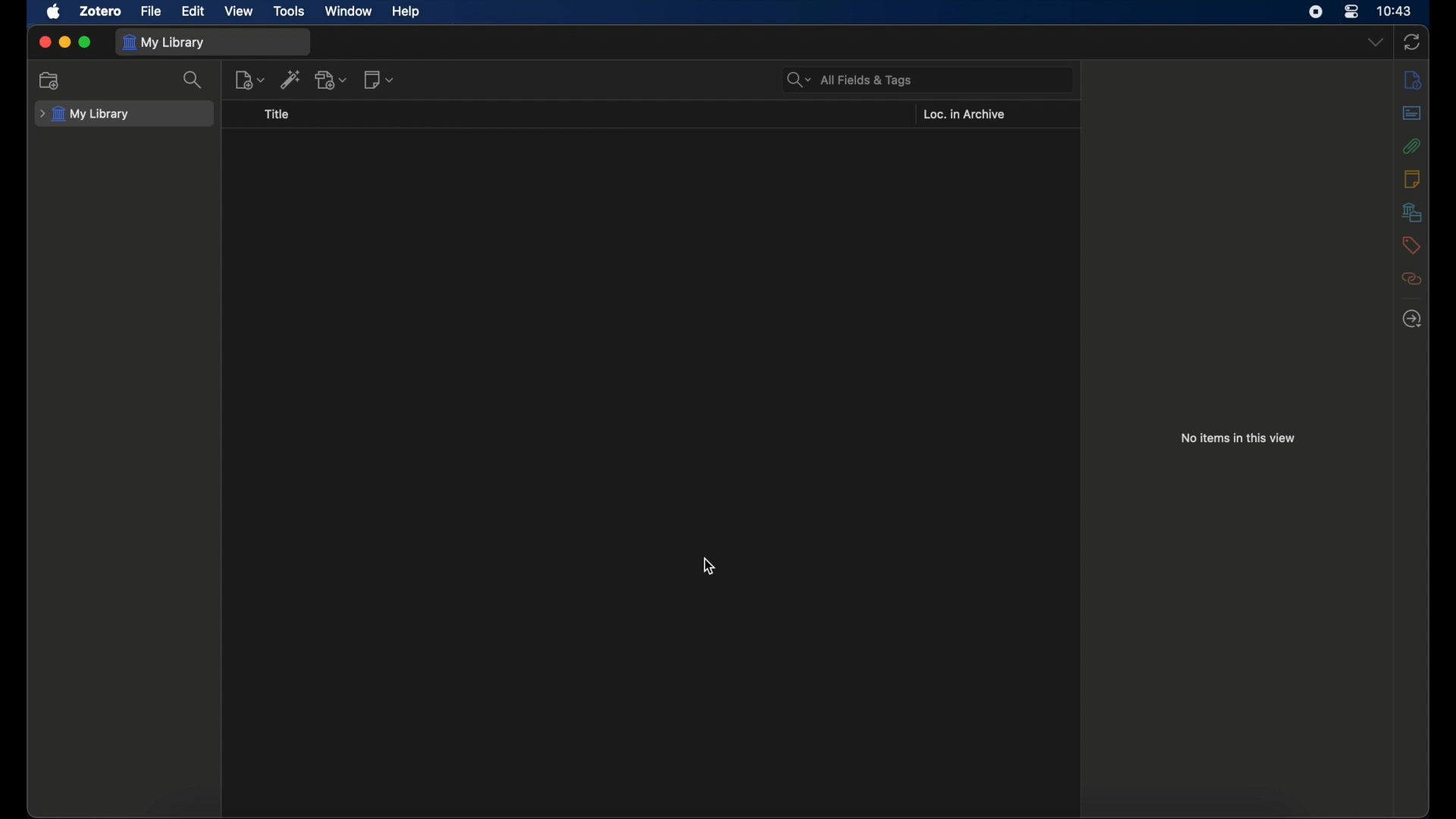  Describe the element at coordinates (1411, 112) in the screenshot. I see `abstract` at that location.